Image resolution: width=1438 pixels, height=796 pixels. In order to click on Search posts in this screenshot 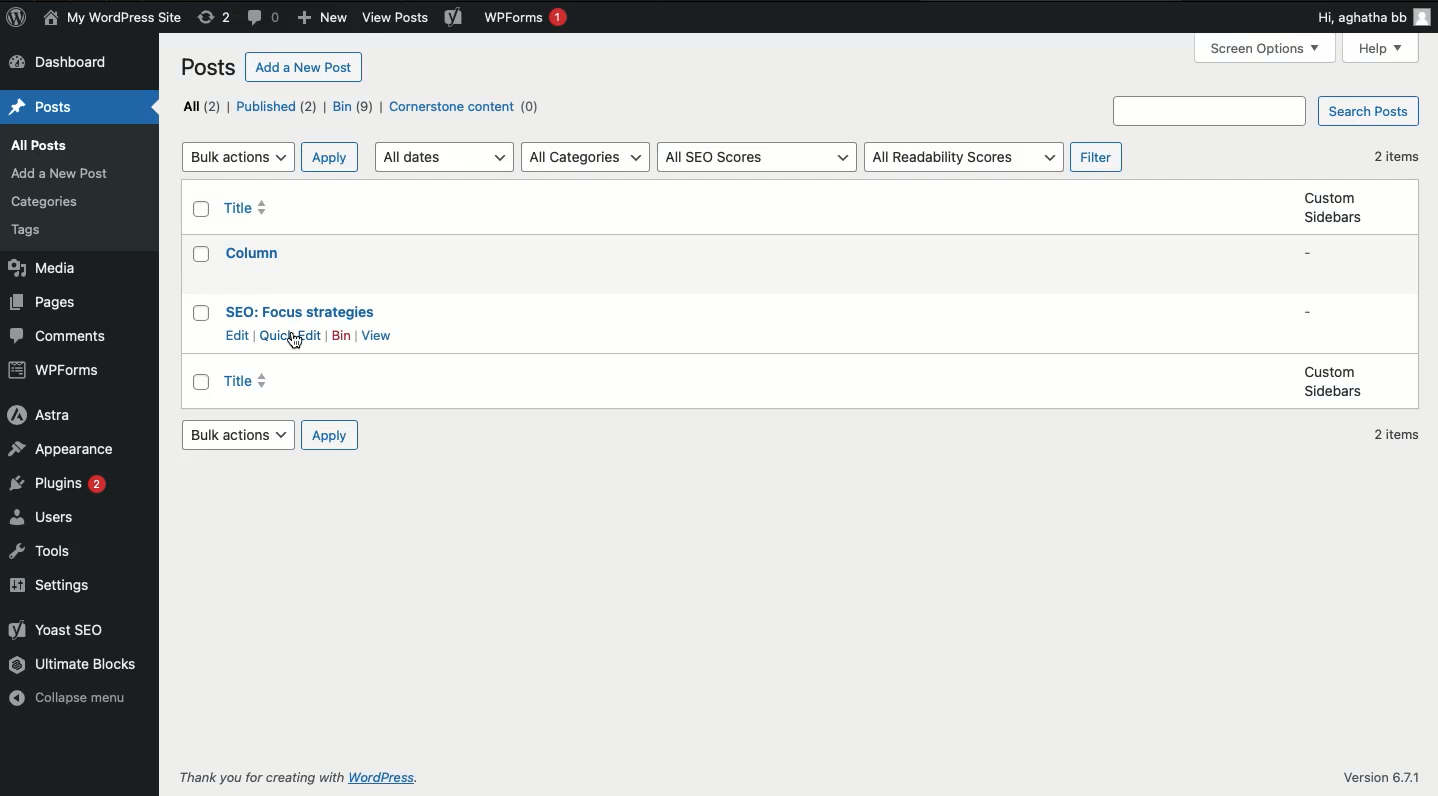, I will do `click(1366, 113)`.